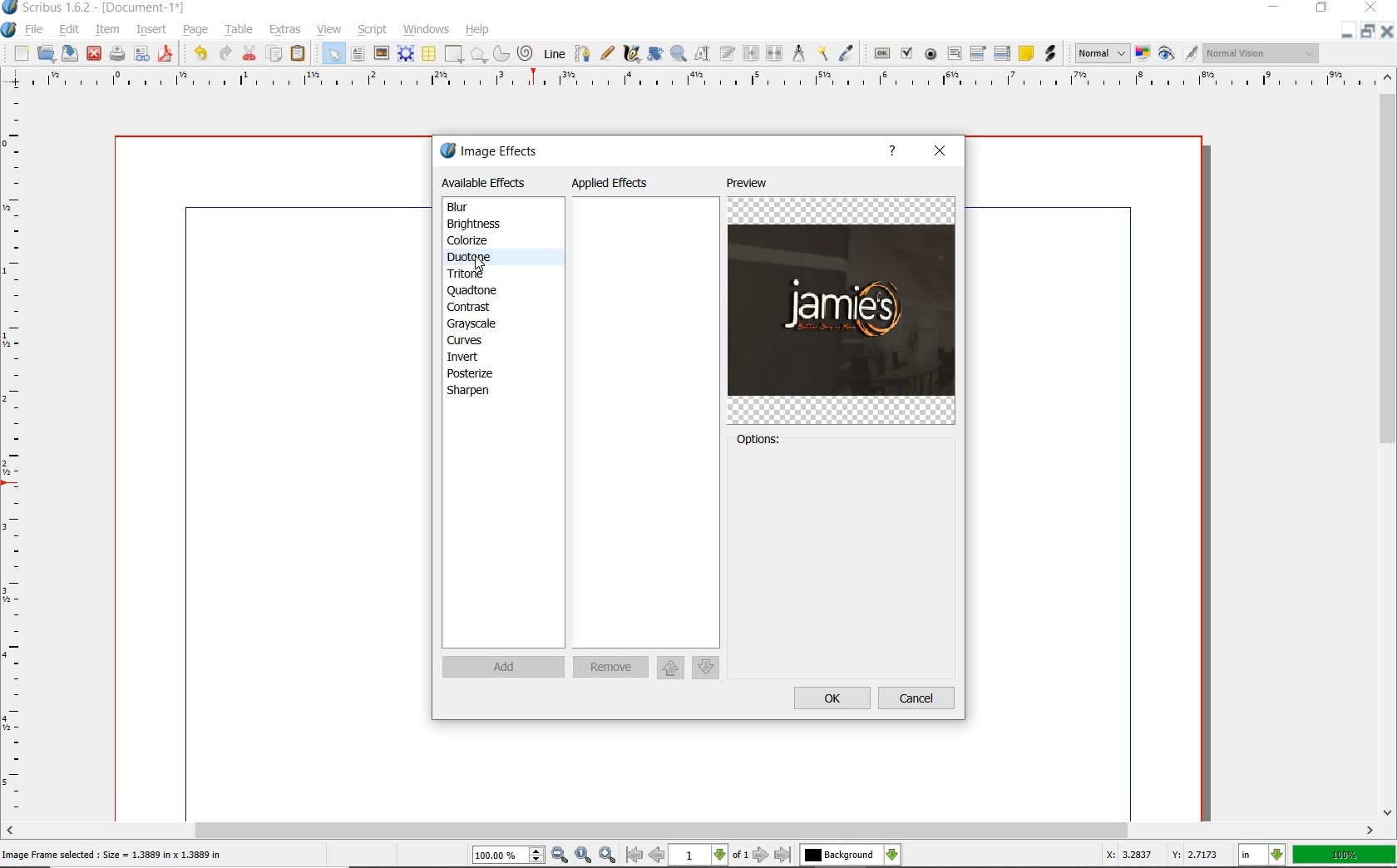 The width and height of the screenshot is (1397, 868). What do you see at coordinates (285, 28) in the screenshot?
I see `extras` at bounding box center [285, 28].